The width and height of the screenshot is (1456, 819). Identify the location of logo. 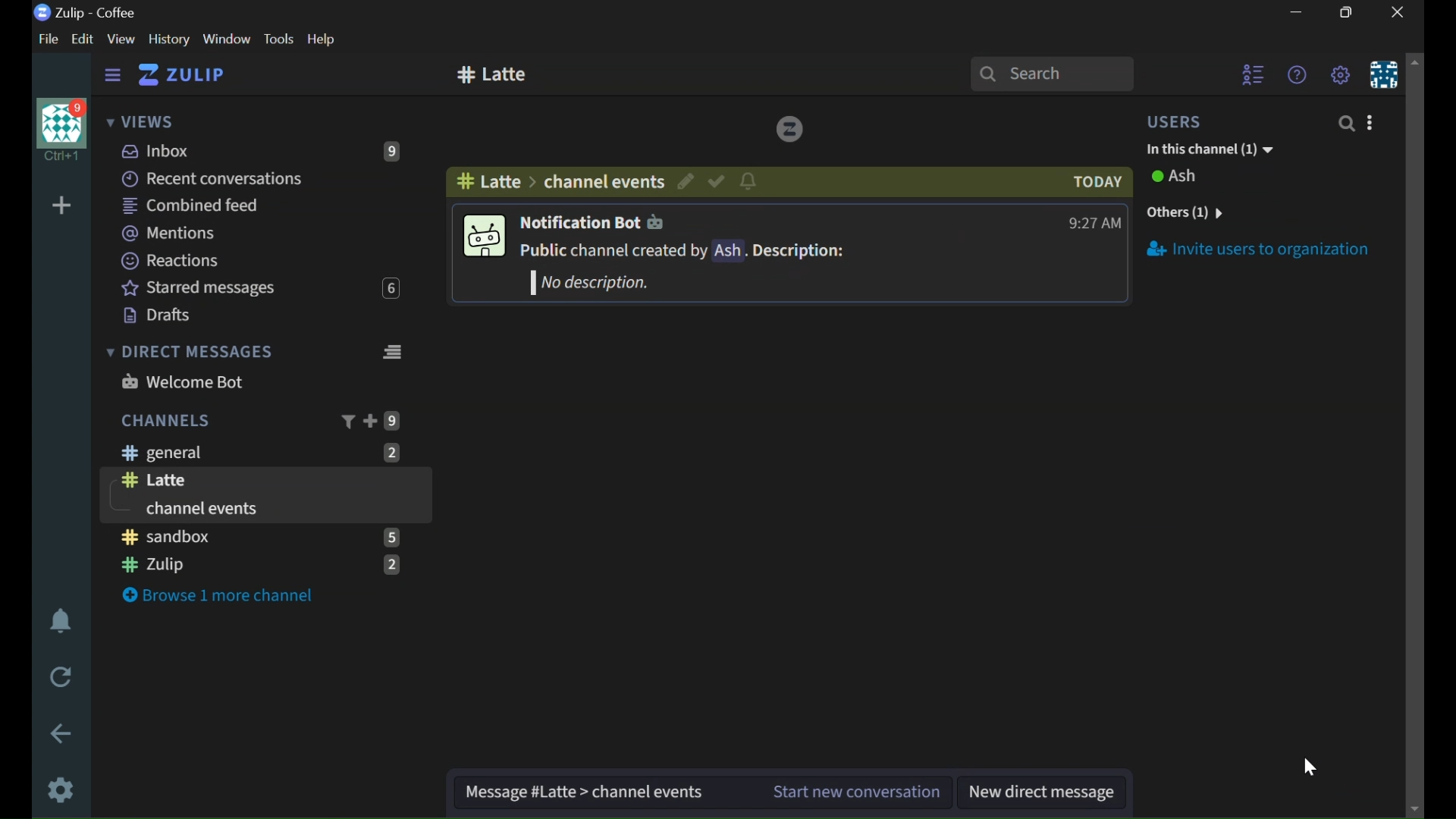
(790, 127).